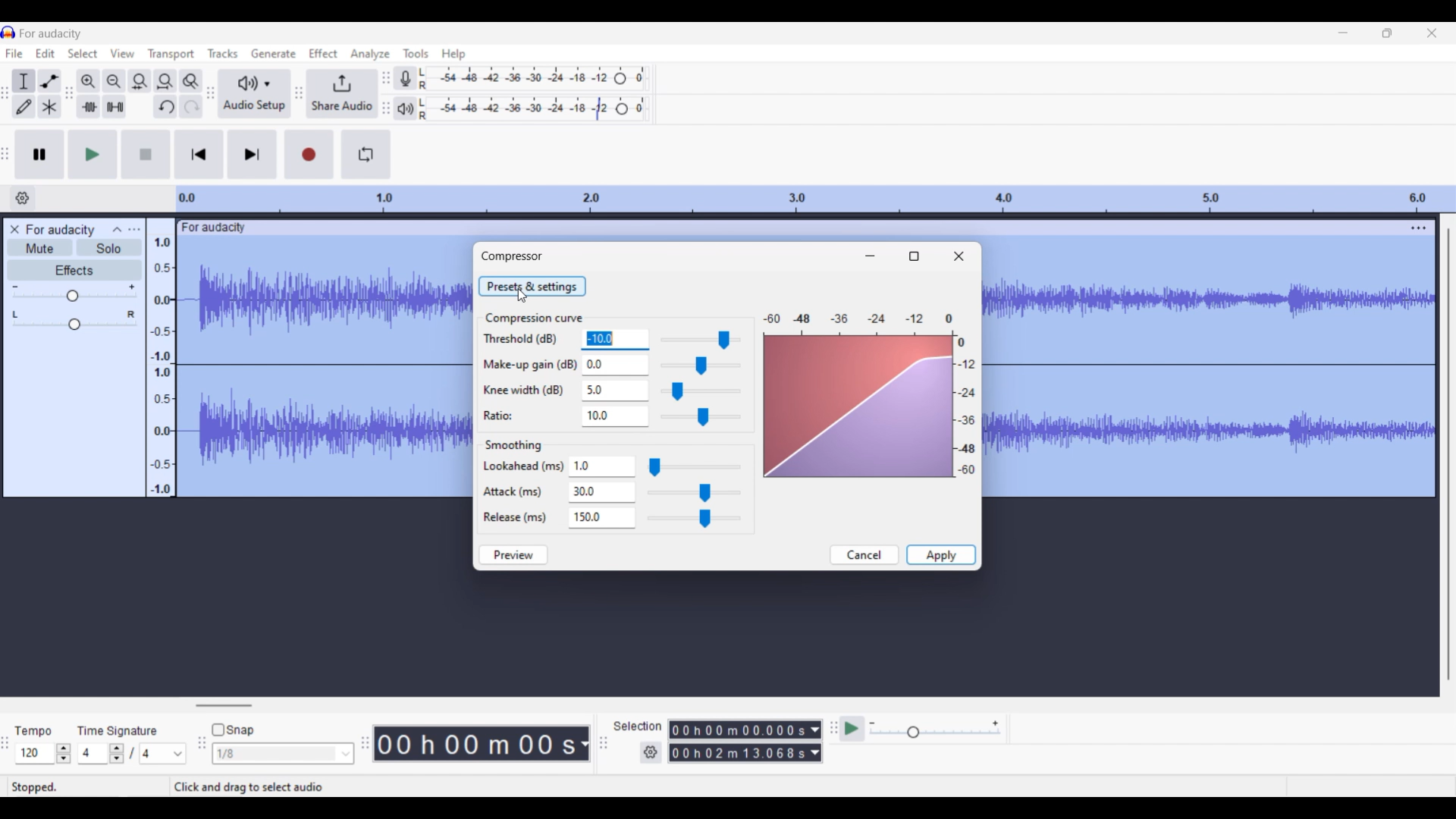  I want to click on Knee width (dB), so click(525, 391).